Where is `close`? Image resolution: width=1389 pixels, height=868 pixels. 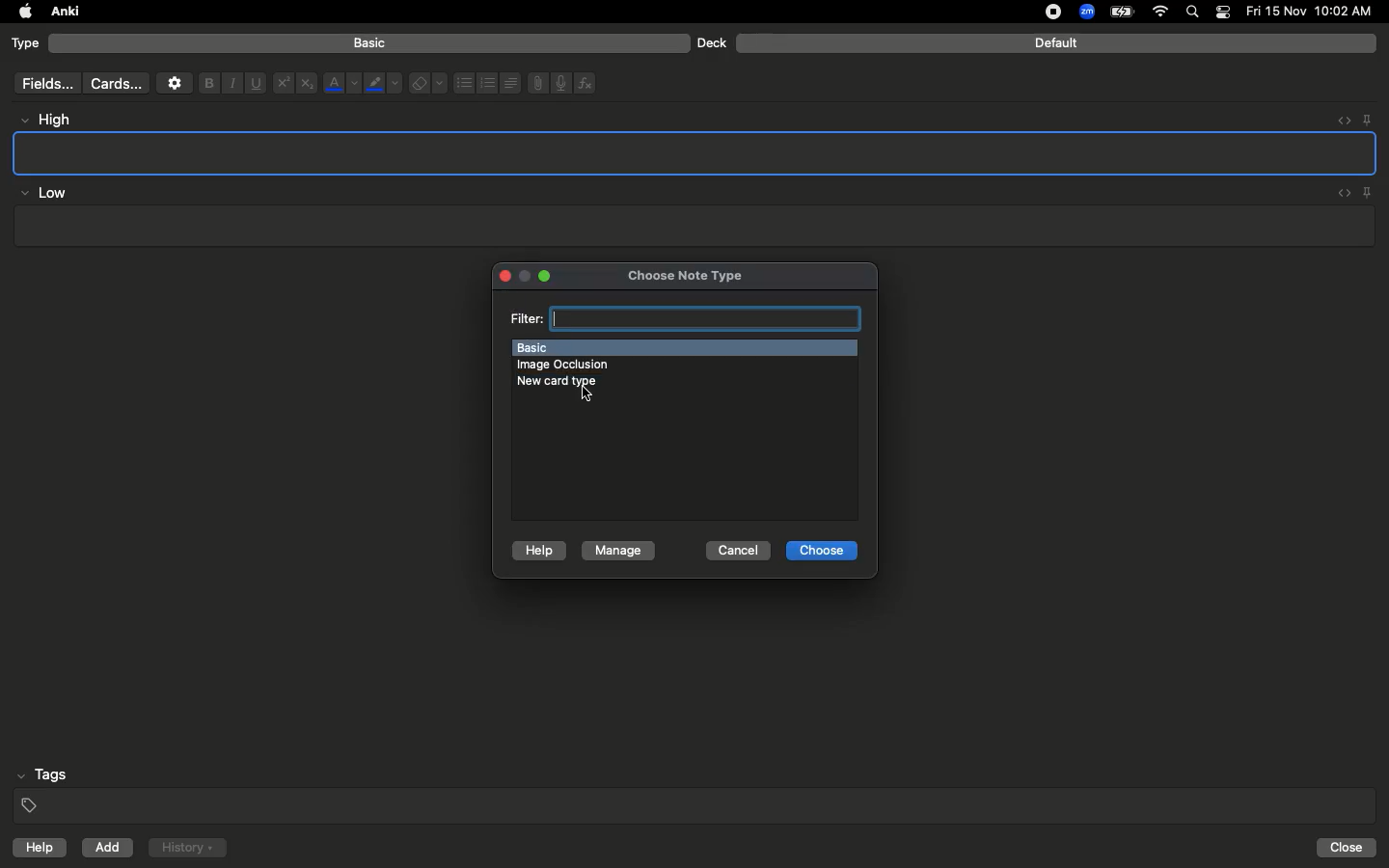 close is located at coordinates (502, 278).